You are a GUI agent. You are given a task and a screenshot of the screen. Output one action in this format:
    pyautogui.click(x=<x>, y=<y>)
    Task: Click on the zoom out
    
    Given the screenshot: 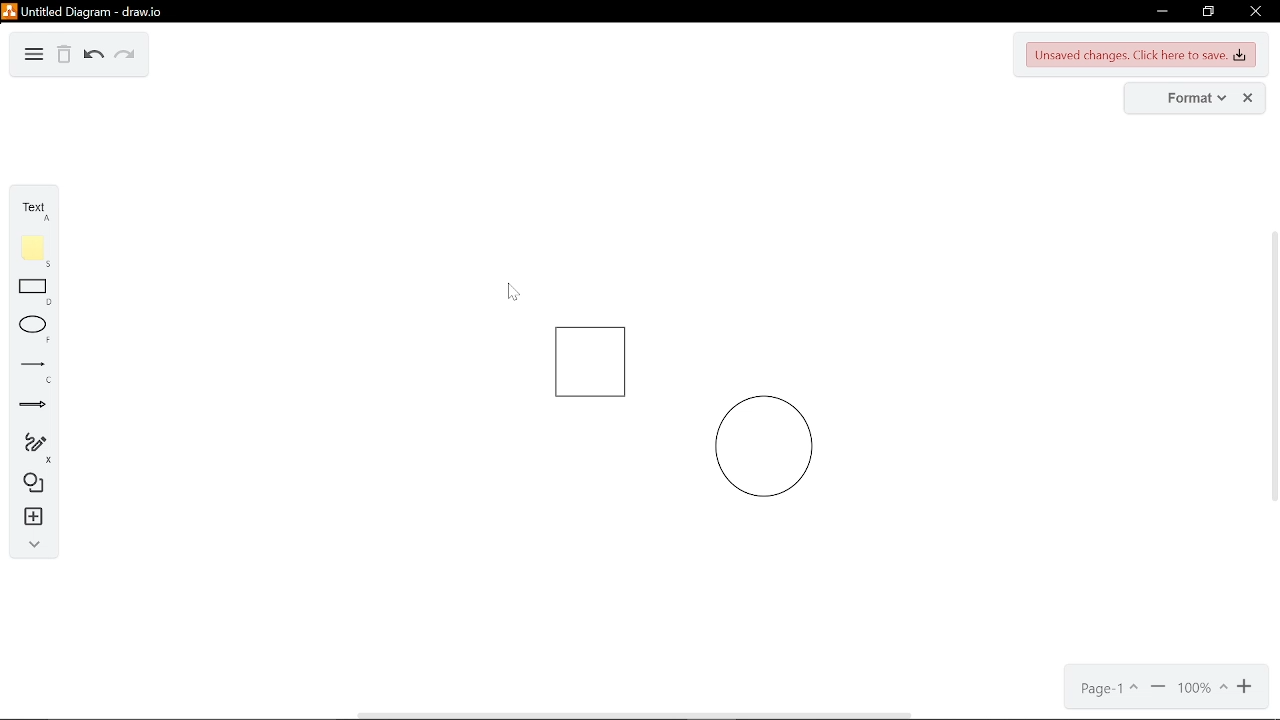 What is the action you would take?
    pyautogui.click(x=1157, y=688)
    